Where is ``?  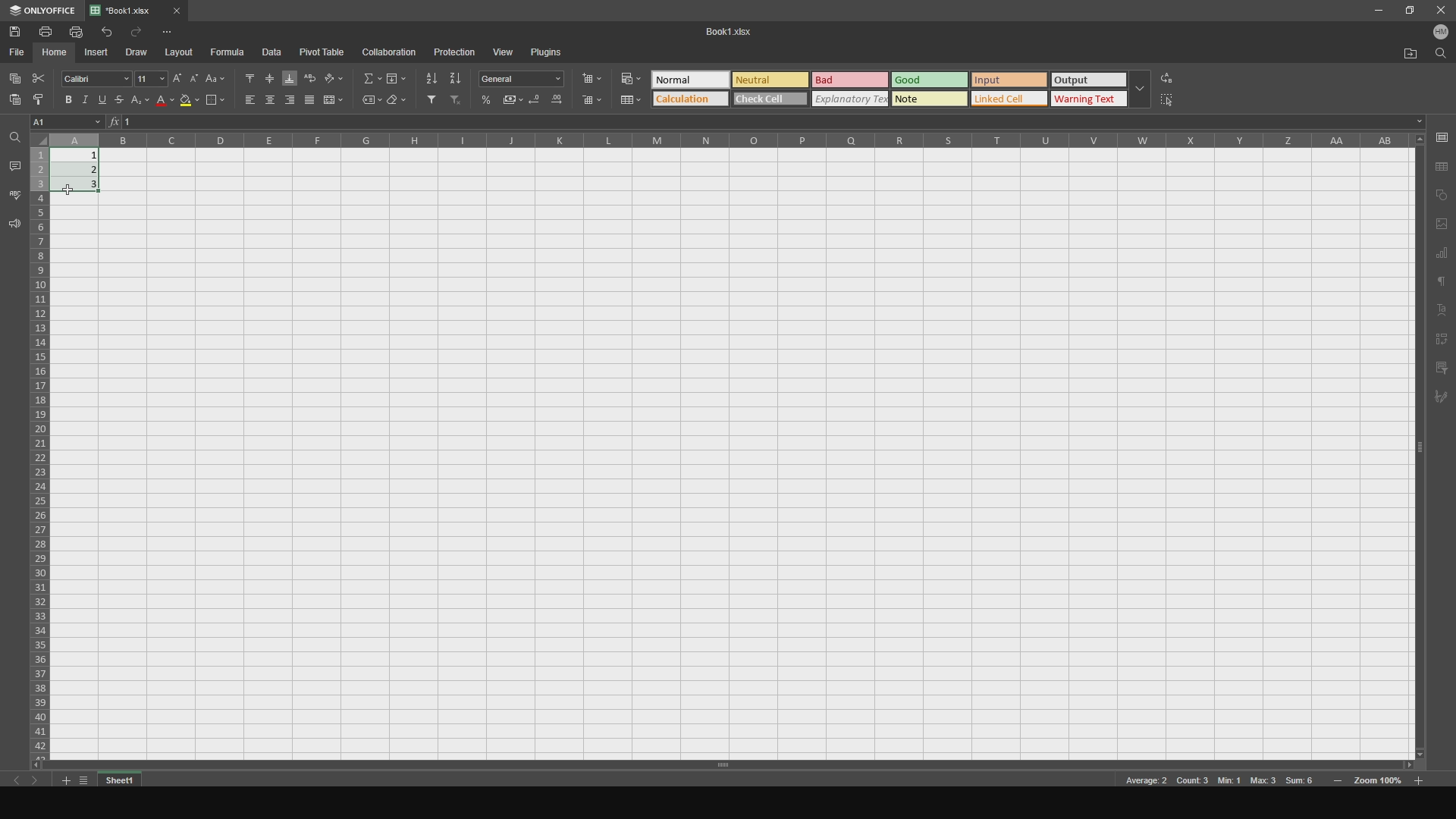  is located at coordinates (629, 100).